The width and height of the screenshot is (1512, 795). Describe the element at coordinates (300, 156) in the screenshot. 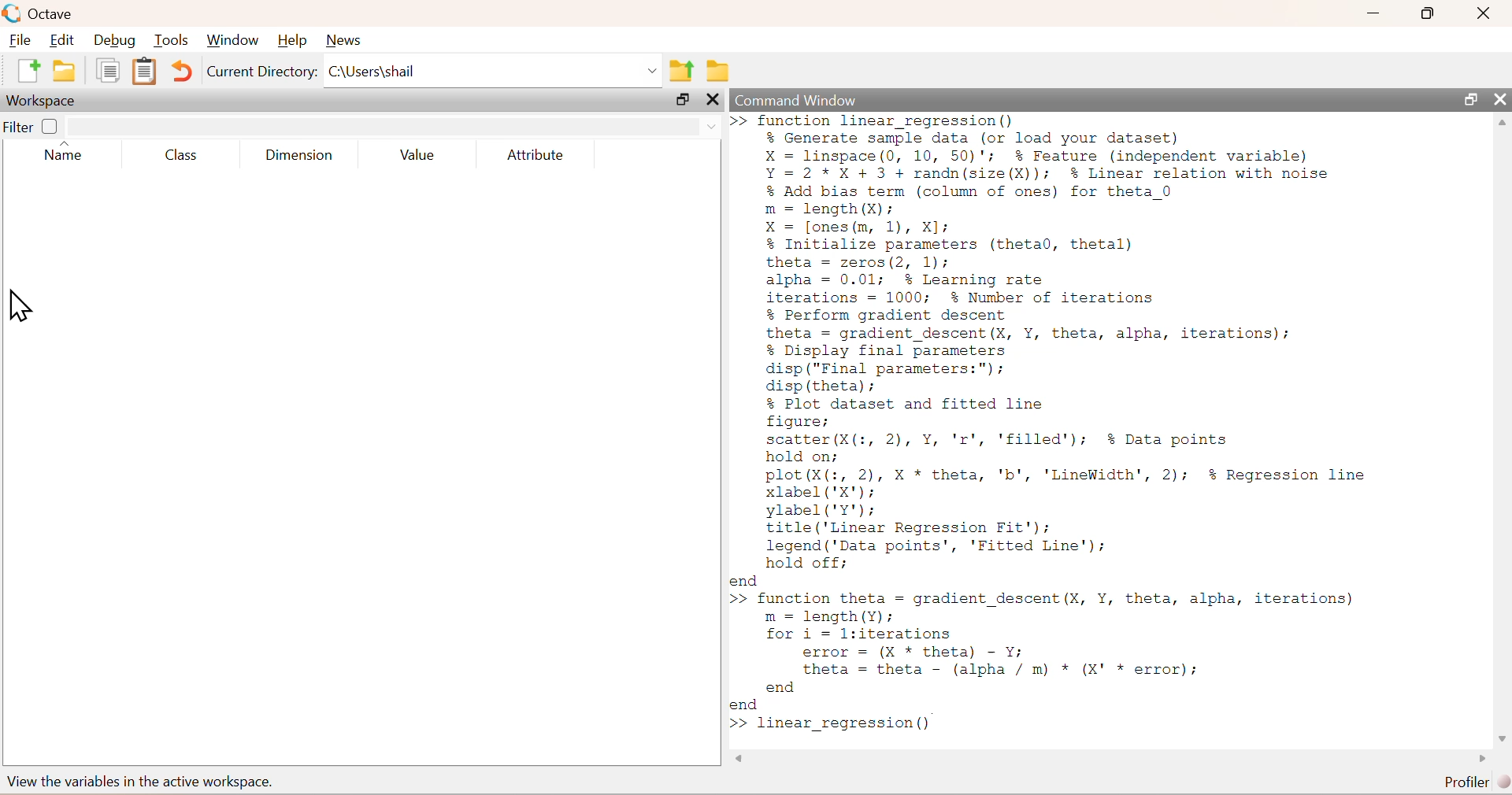

I see `Dimension` at that location.